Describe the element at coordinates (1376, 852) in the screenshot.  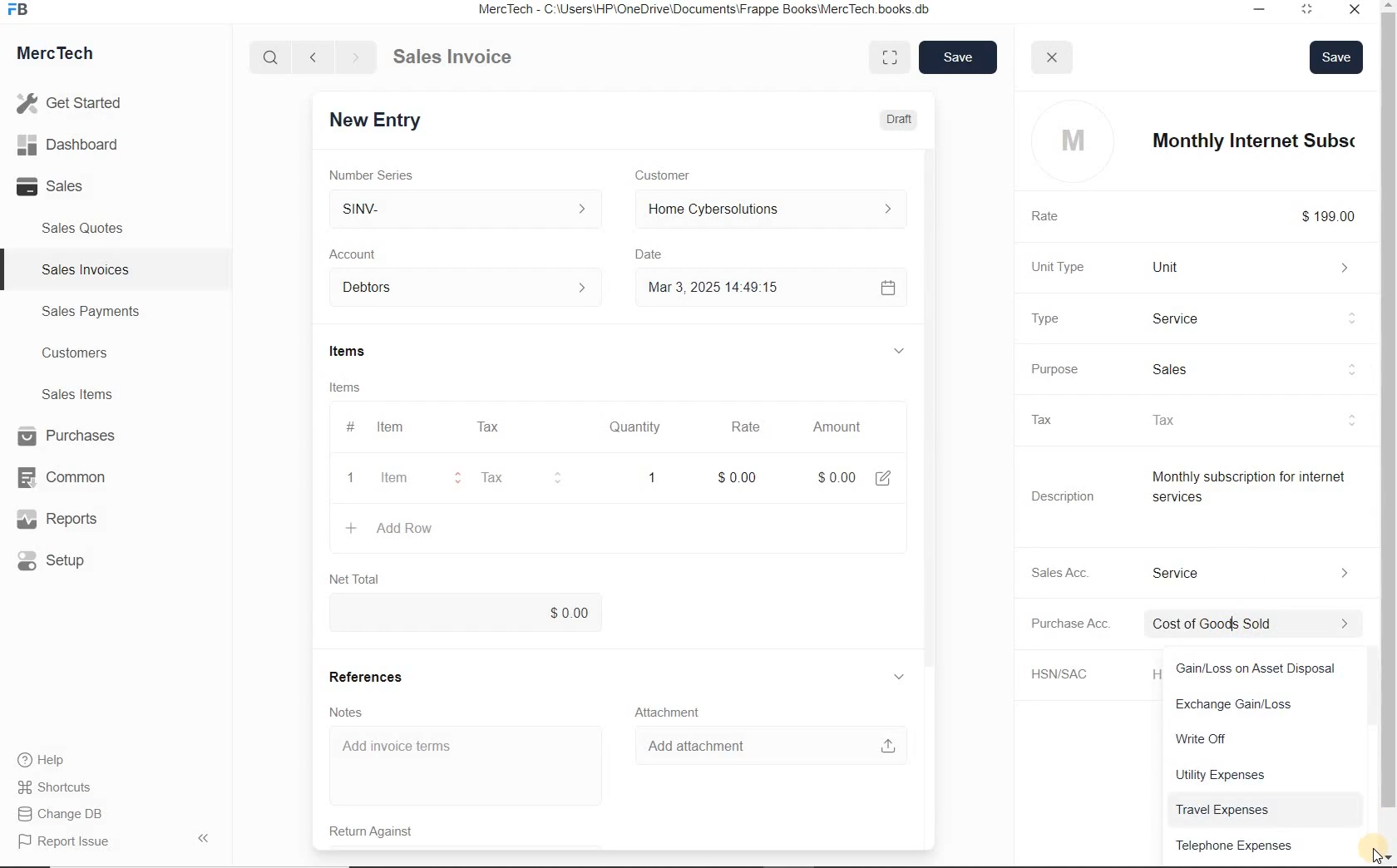
I see `cursor` at that location.